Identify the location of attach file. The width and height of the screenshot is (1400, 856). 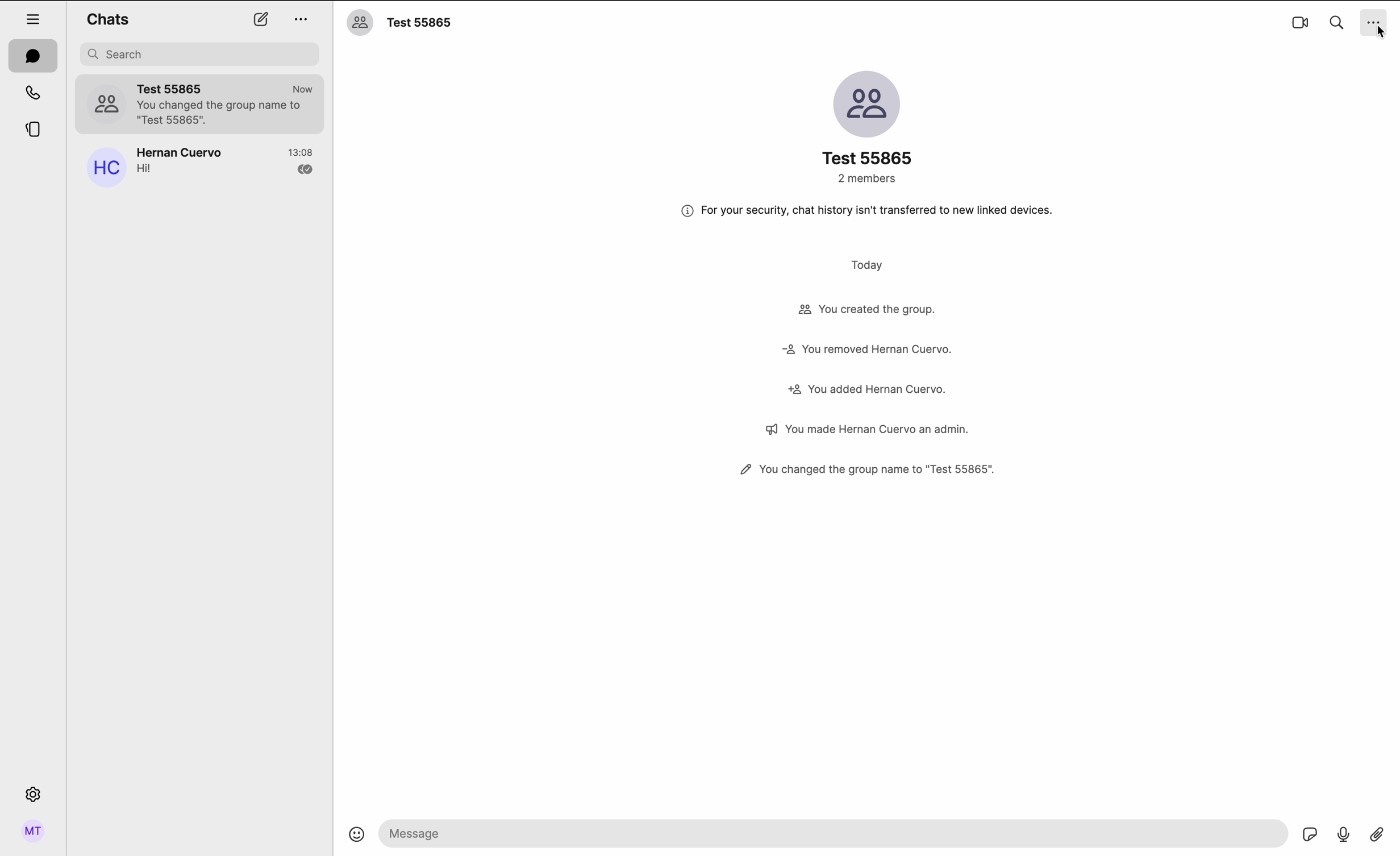
(1377, 837).